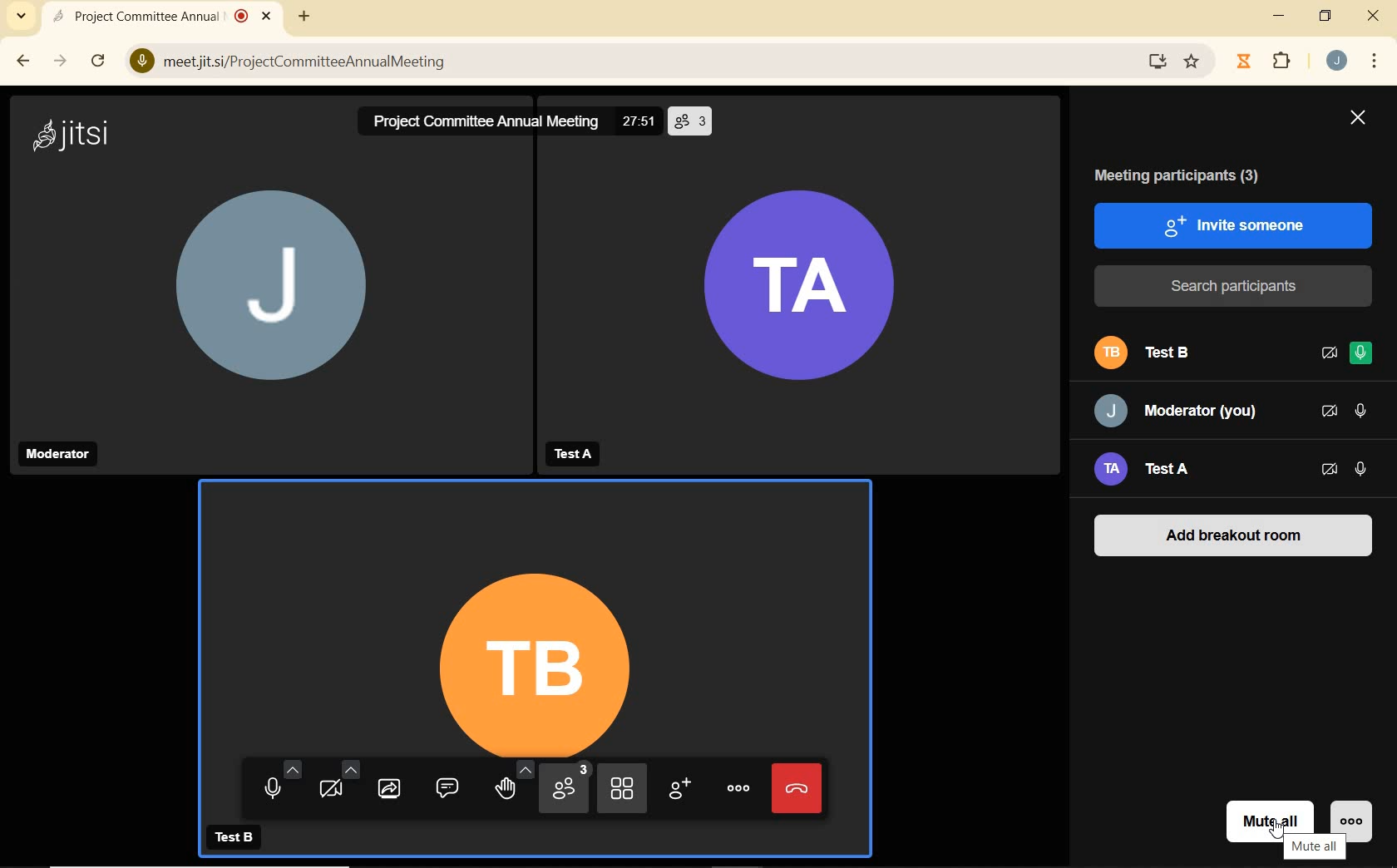  Describe the element at coordinates (1234, 287) in the screenshot. I see `SEARCH PARTICIPANTS` at that location.